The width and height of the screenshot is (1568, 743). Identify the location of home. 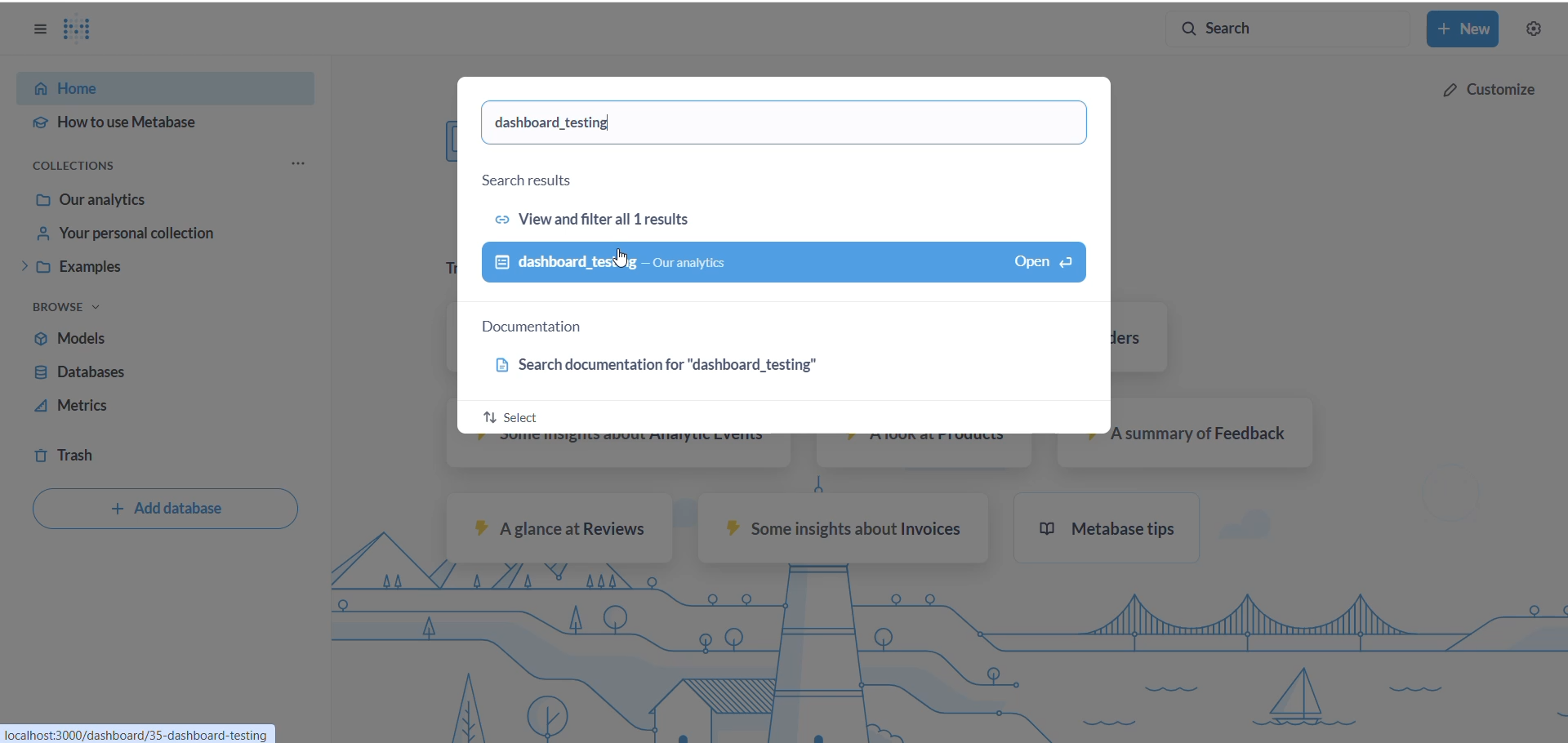
(153, 86).